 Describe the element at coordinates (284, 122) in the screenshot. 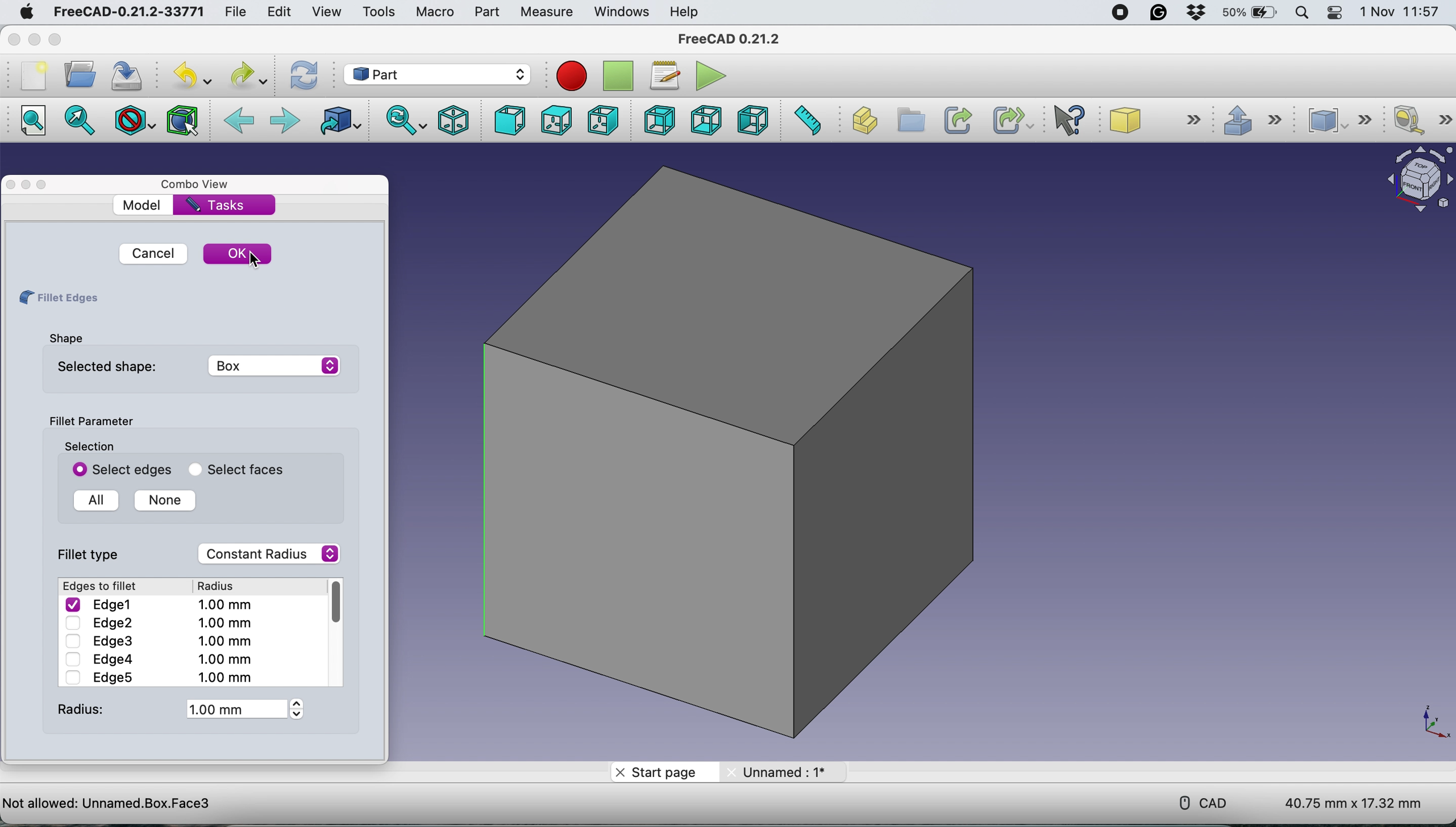

I see `forward` at that location.